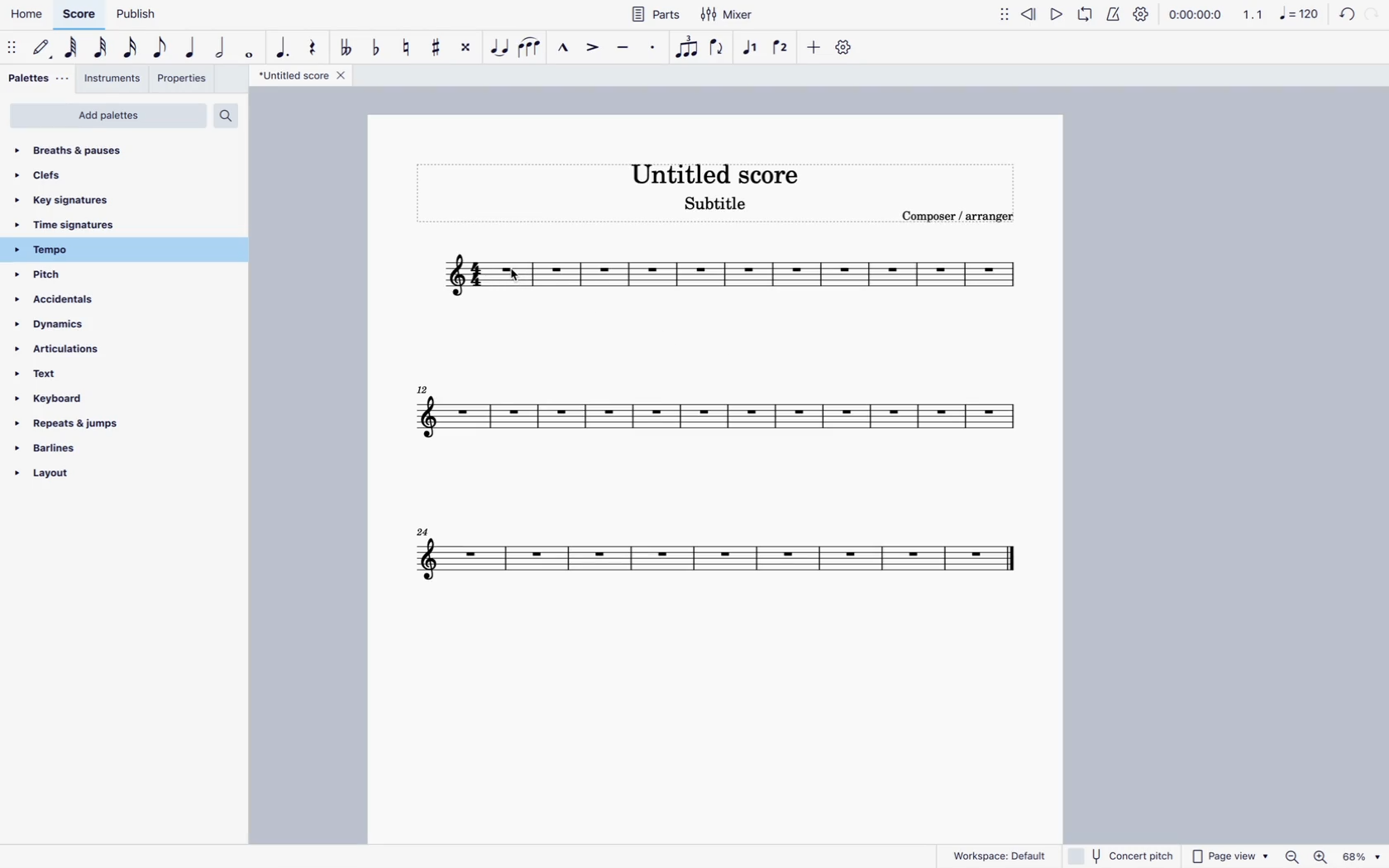  I want to click on default, so click(43, 48).